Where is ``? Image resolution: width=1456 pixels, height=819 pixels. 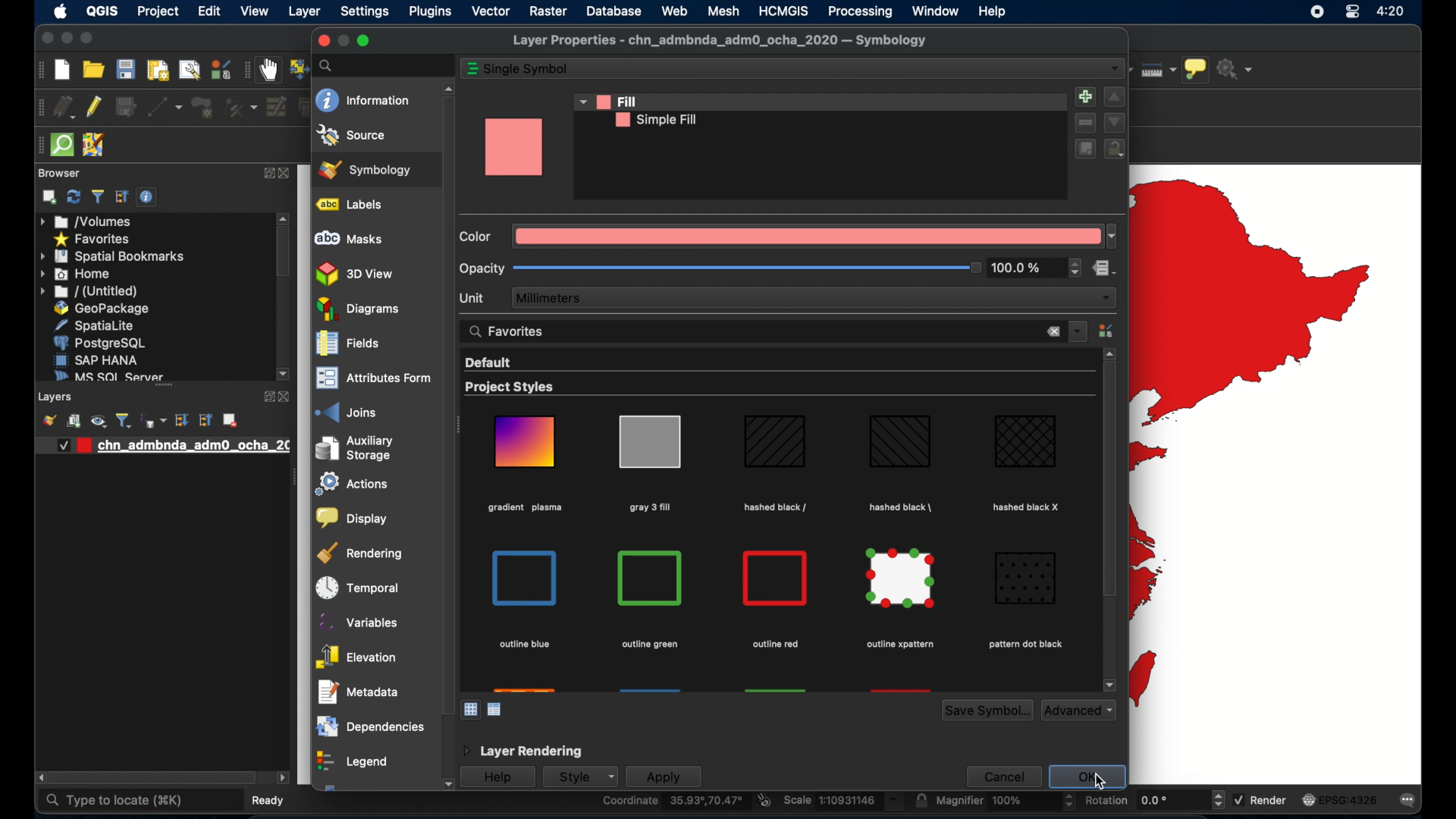
 is located at coordinates (652, 578).